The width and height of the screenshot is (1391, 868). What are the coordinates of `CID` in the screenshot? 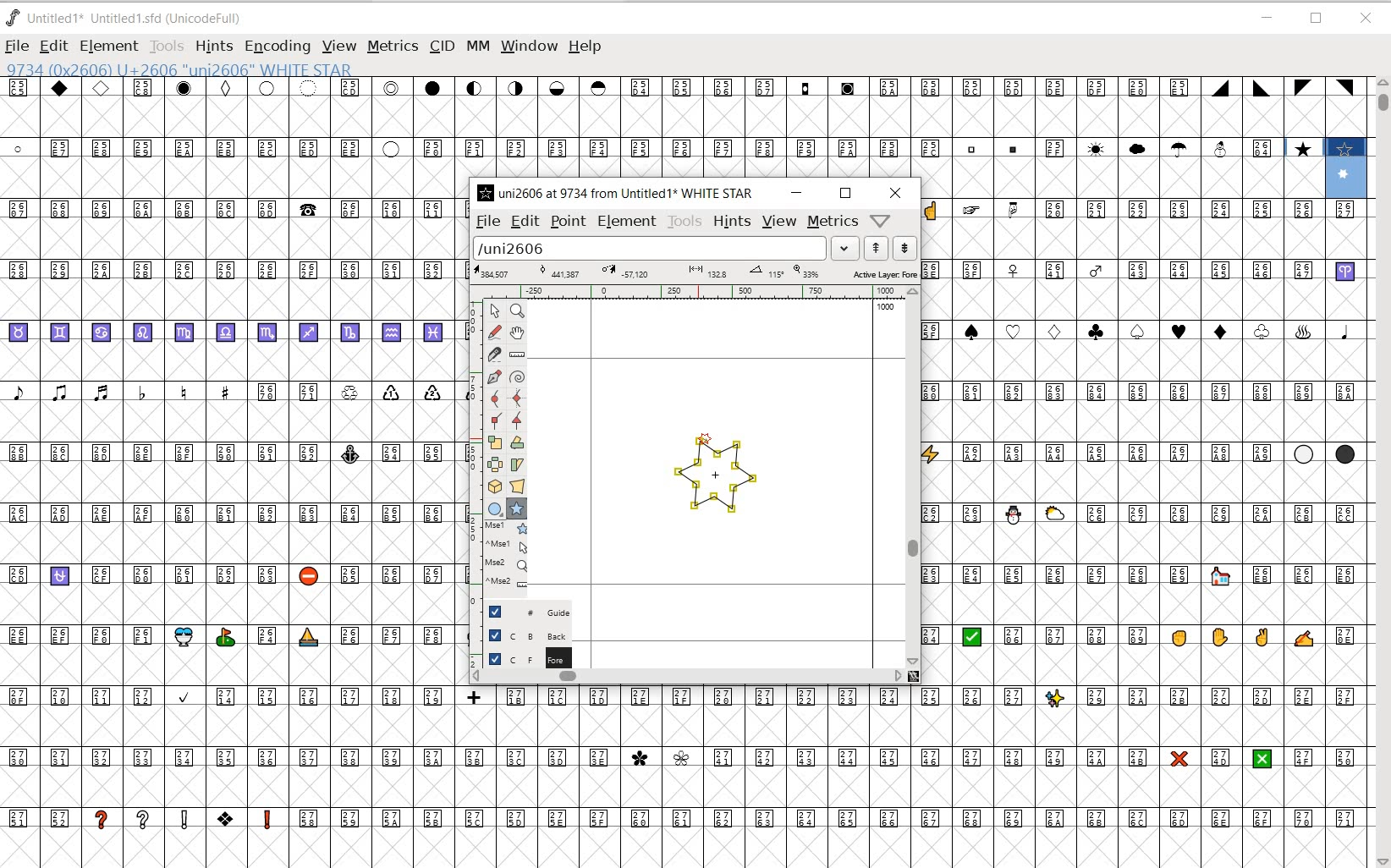 It's located at (442, 47).